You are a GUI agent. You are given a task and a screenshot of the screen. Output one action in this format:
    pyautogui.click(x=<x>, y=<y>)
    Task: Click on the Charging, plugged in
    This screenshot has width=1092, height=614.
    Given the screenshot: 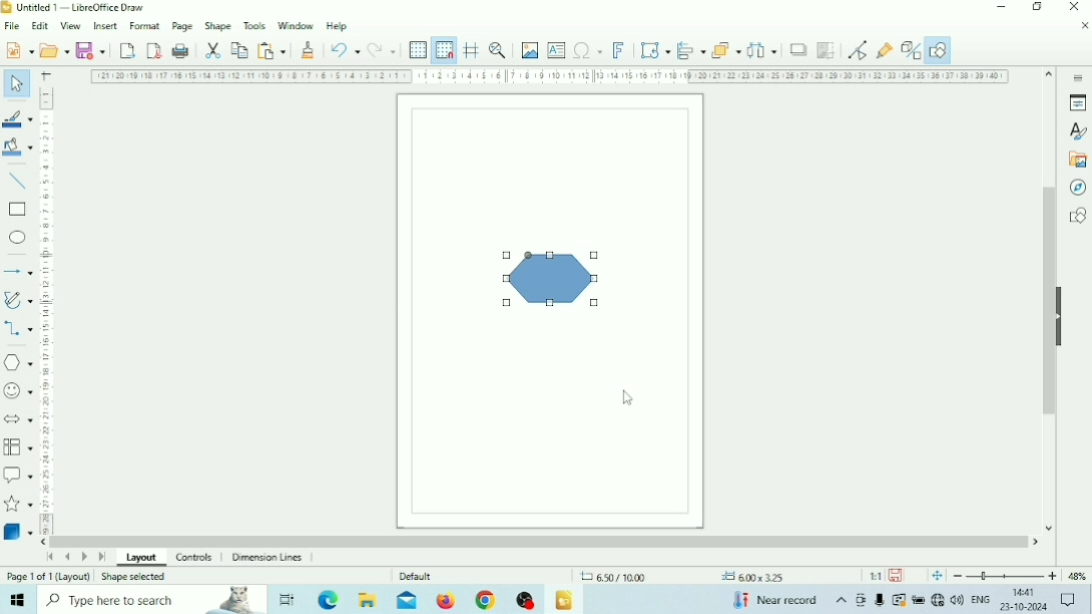 What is the action you would take?
    pyautogui.click(x=917, y=600)
    